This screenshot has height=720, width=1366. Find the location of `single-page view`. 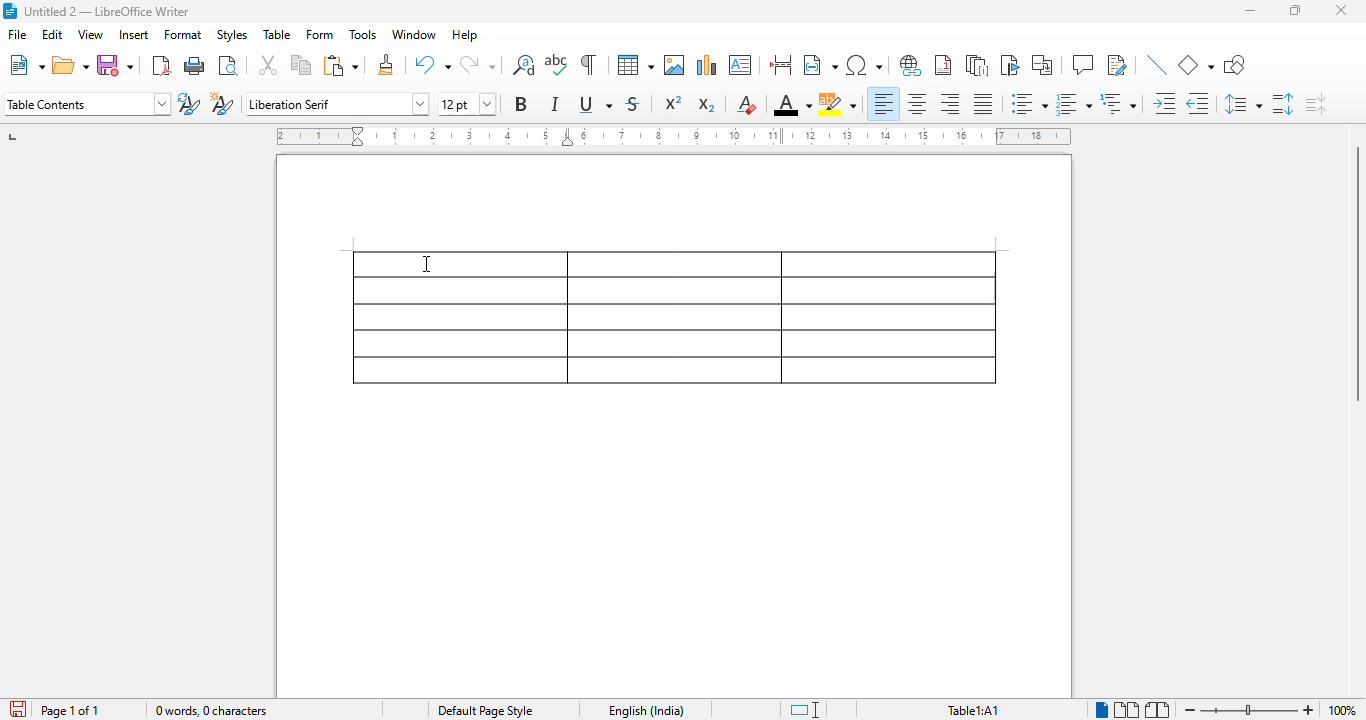

single-page view is located at coordinates (1103, 710).